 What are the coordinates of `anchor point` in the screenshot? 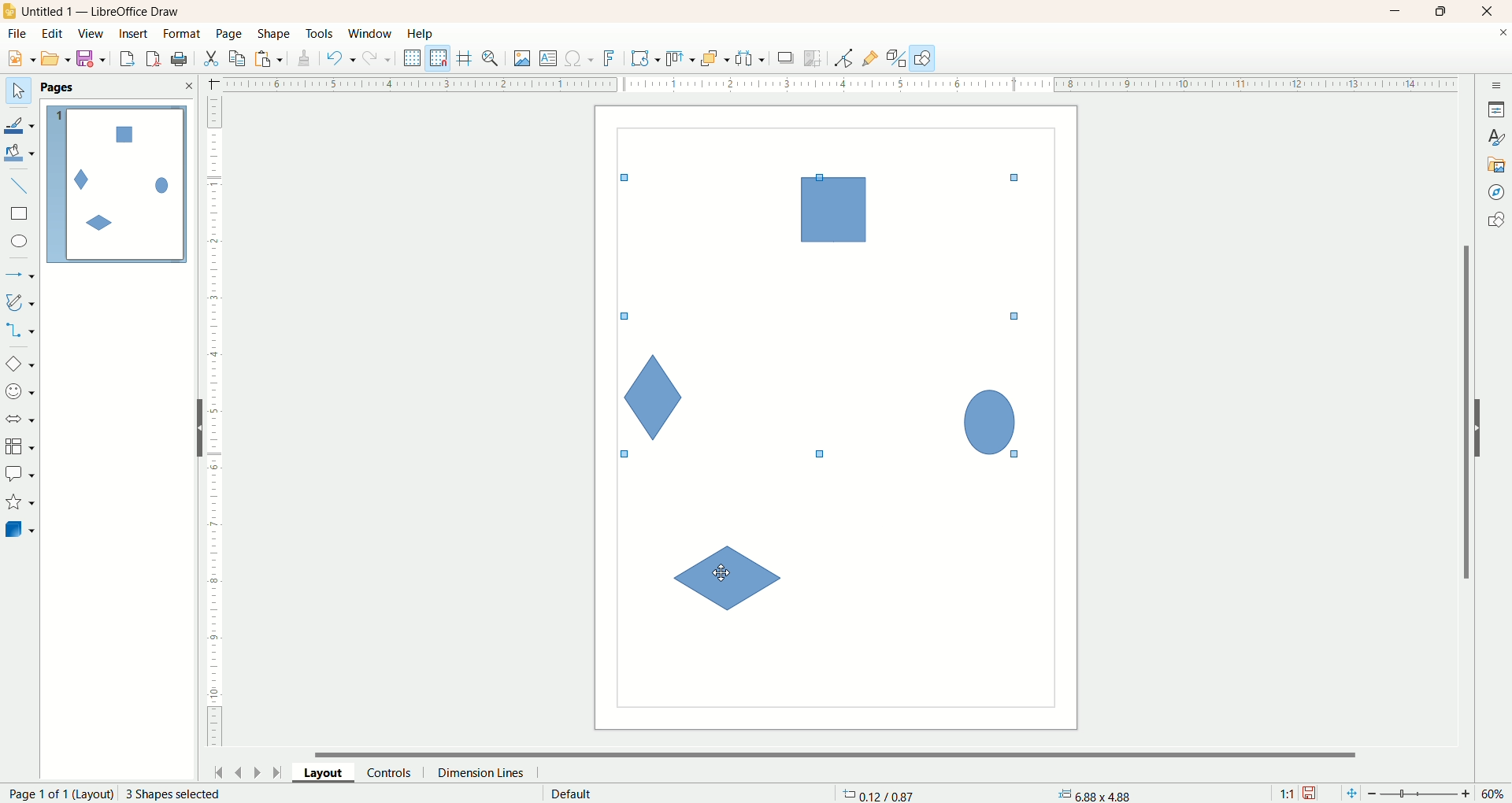 It's located at (1092, 794).